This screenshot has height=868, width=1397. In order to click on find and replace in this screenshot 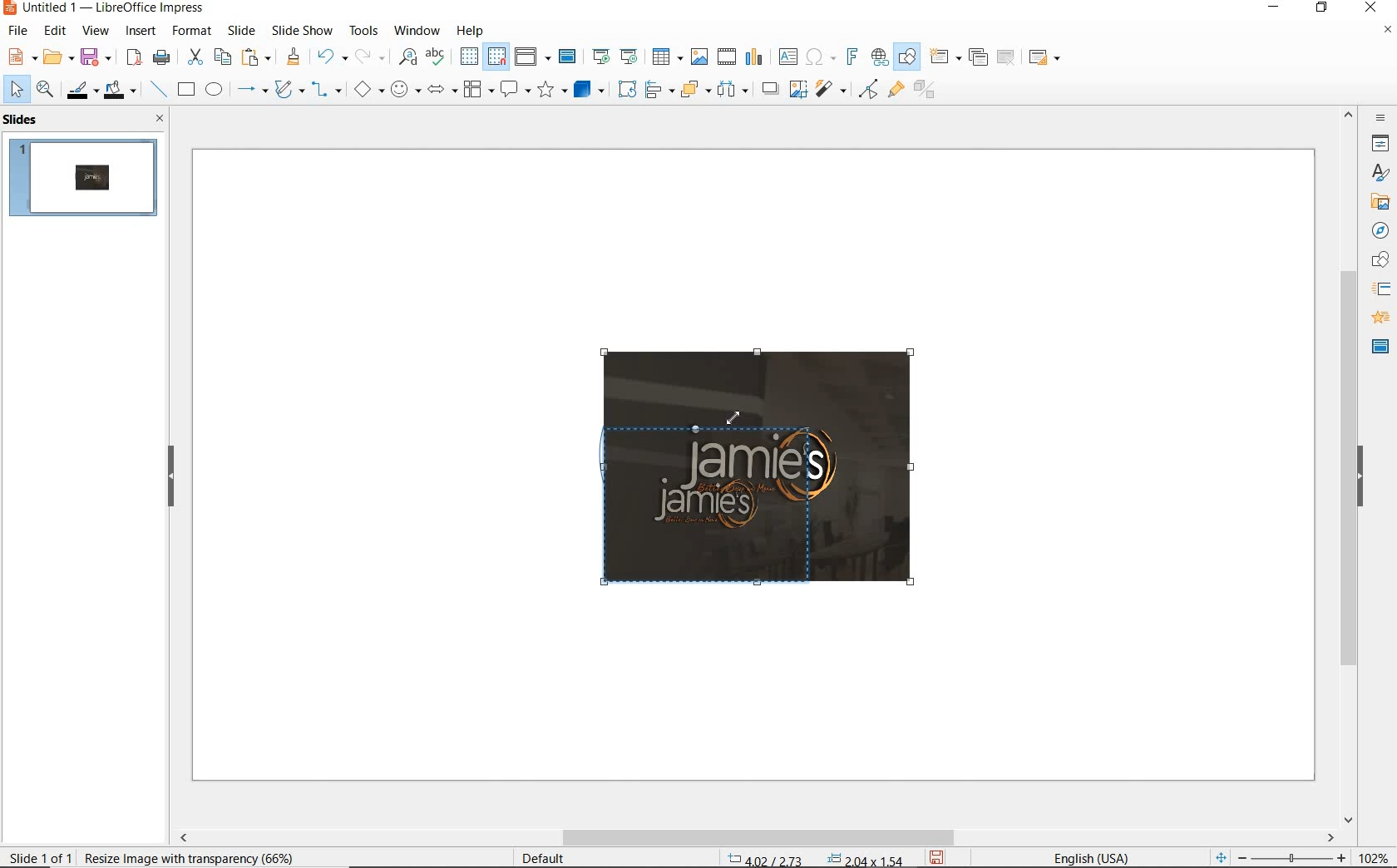, I will do `click(407, 57)`.